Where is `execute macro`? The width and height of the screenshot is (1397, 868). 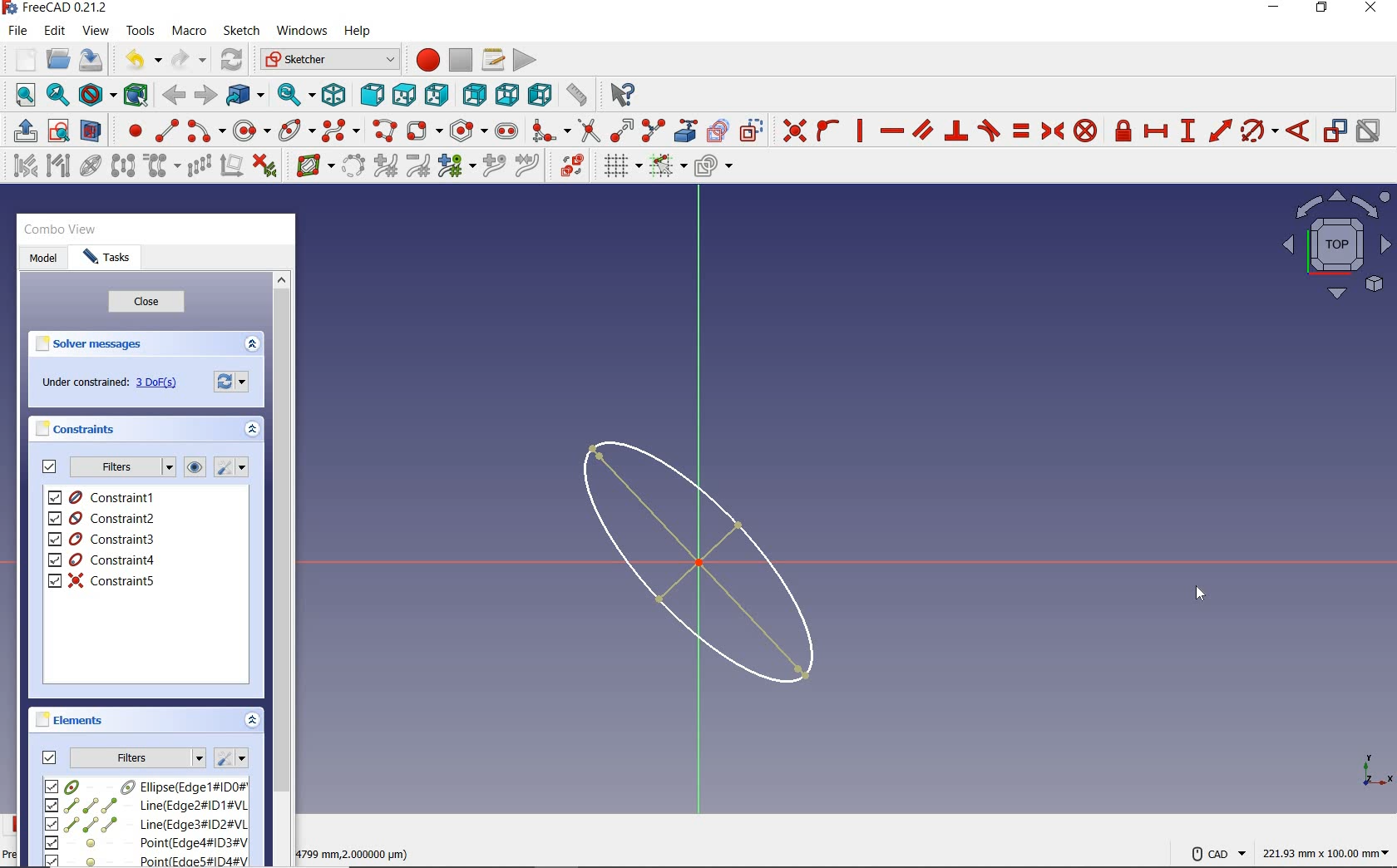 execute macro is located at coordinates (526, 58).